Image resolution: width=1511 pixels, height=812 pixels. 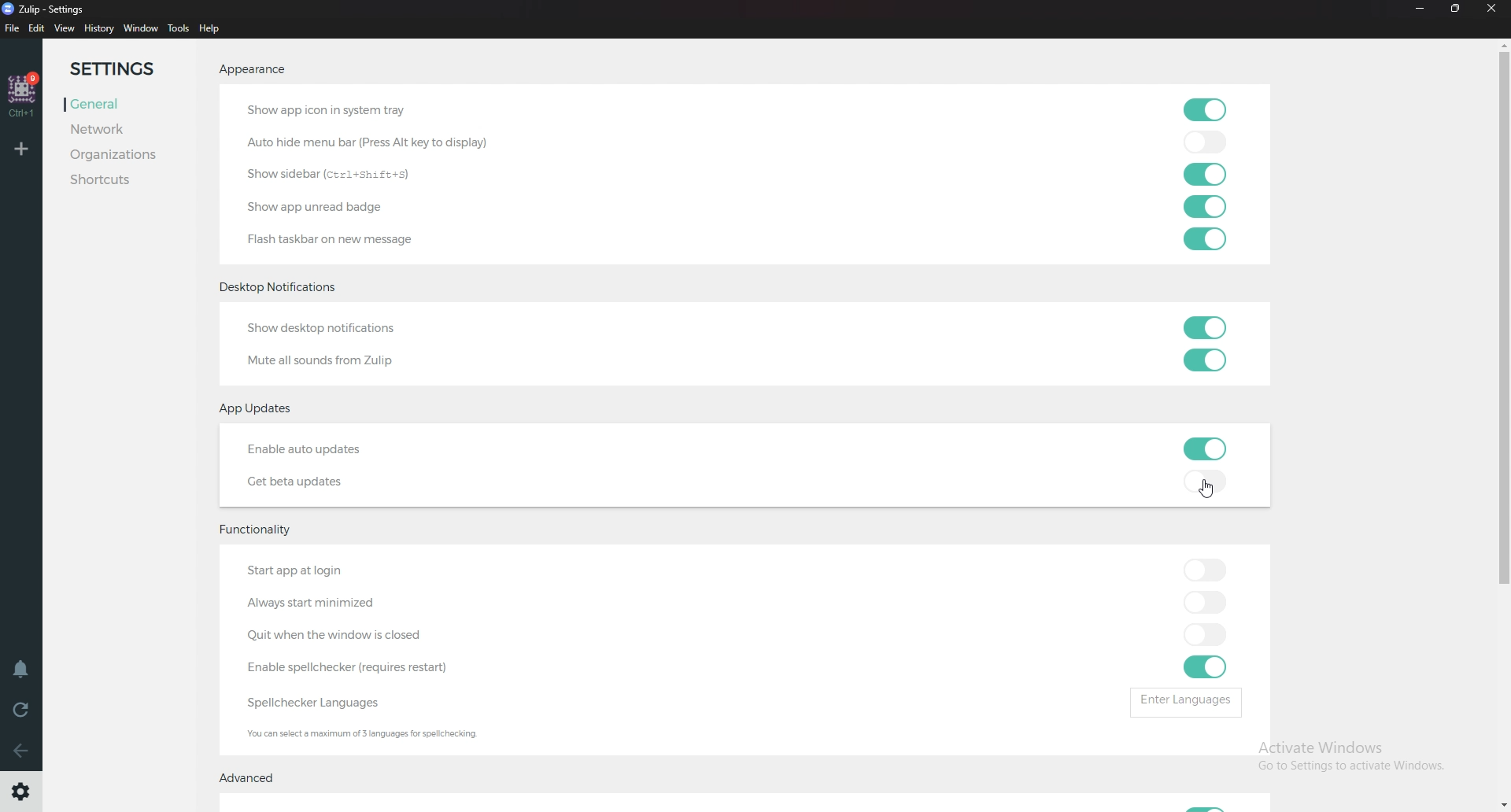 I want to click on start app at login, so click(x=308, y=572).